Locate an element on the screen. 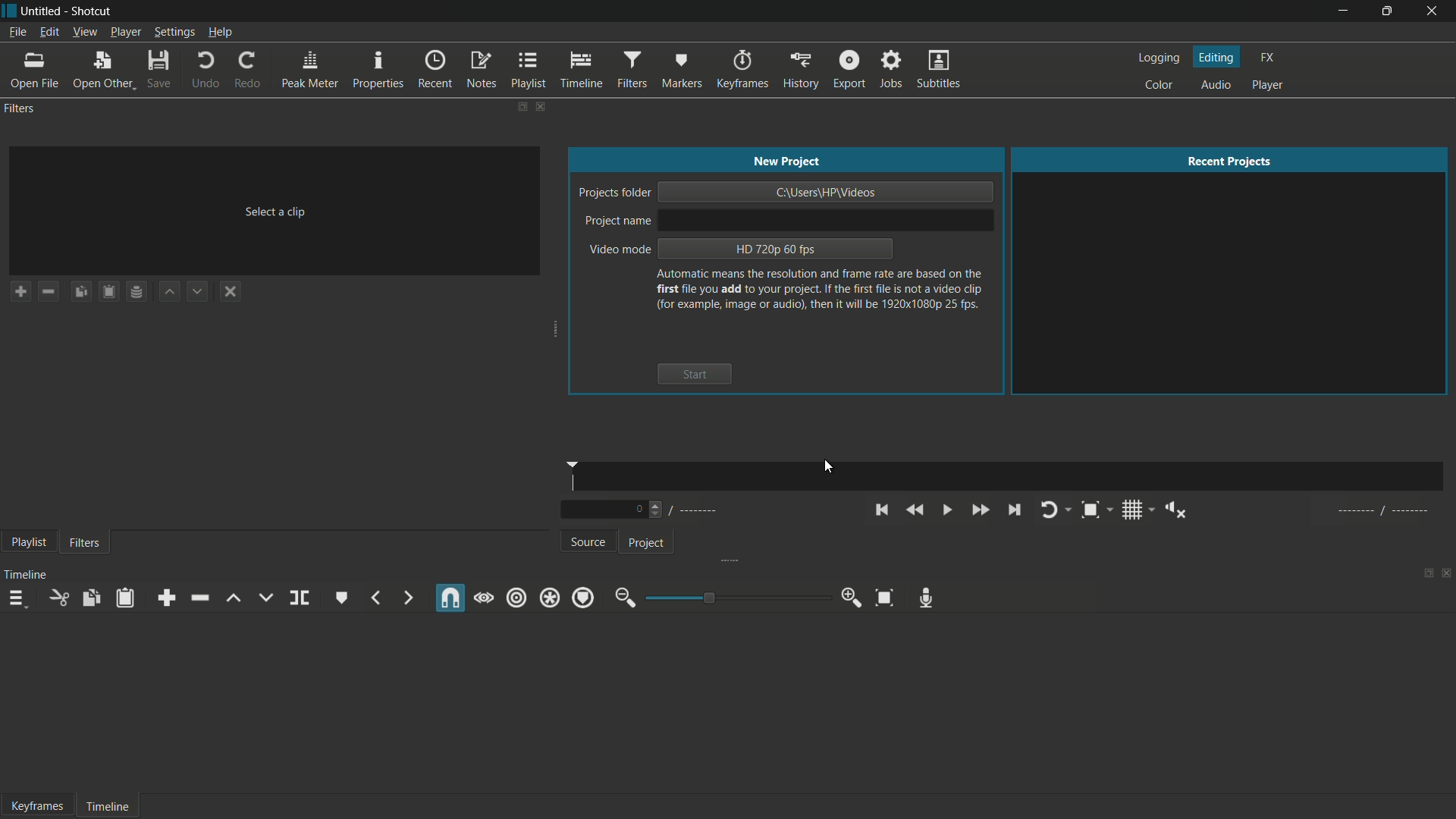 Image resolution: width=1456 pixels, height=819 pixels. toggle player looping is located at coordinates (1053, 510).